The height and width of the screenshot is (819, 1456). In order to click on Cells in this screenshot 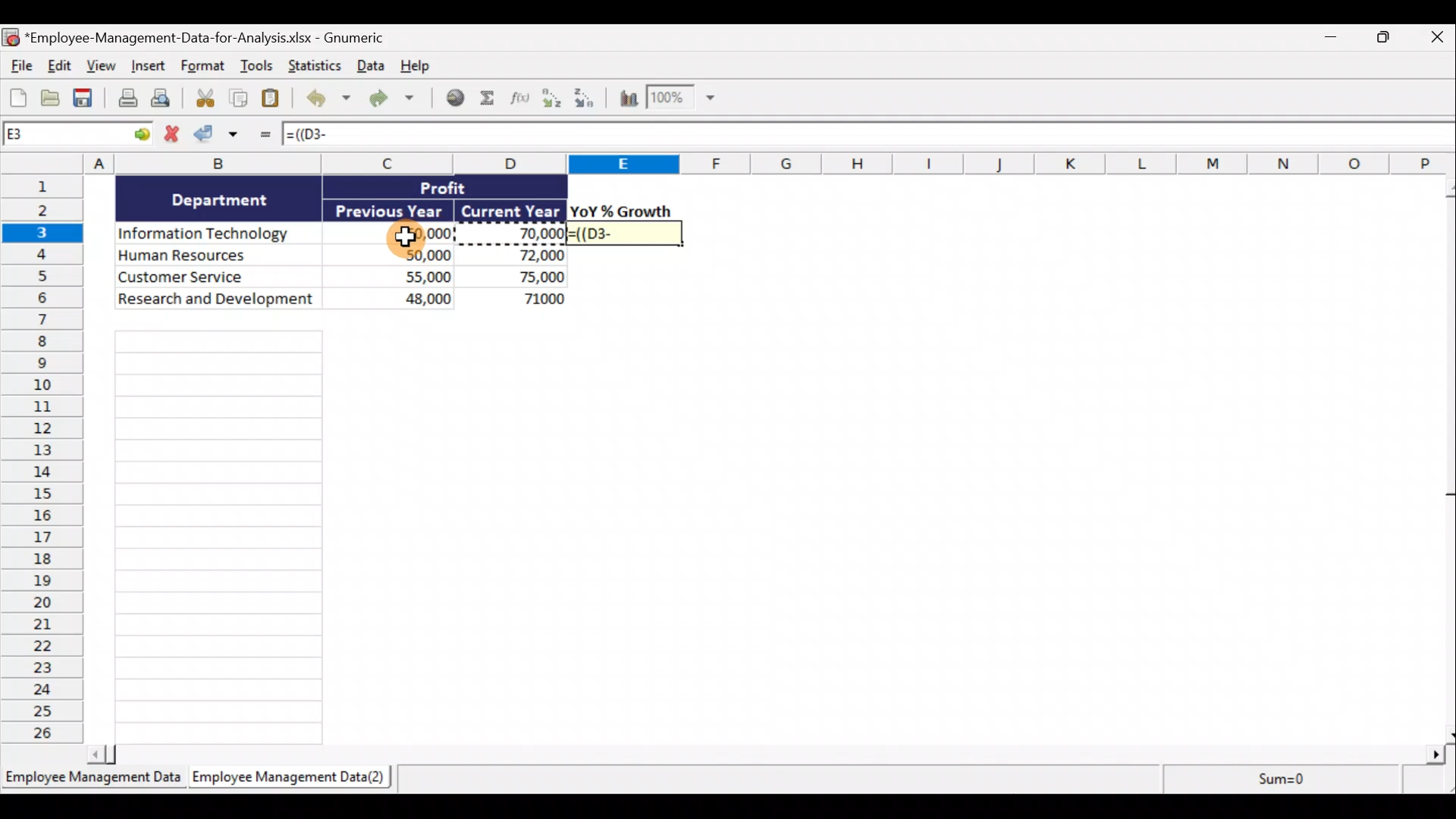, I will do `click(220, 537)`.